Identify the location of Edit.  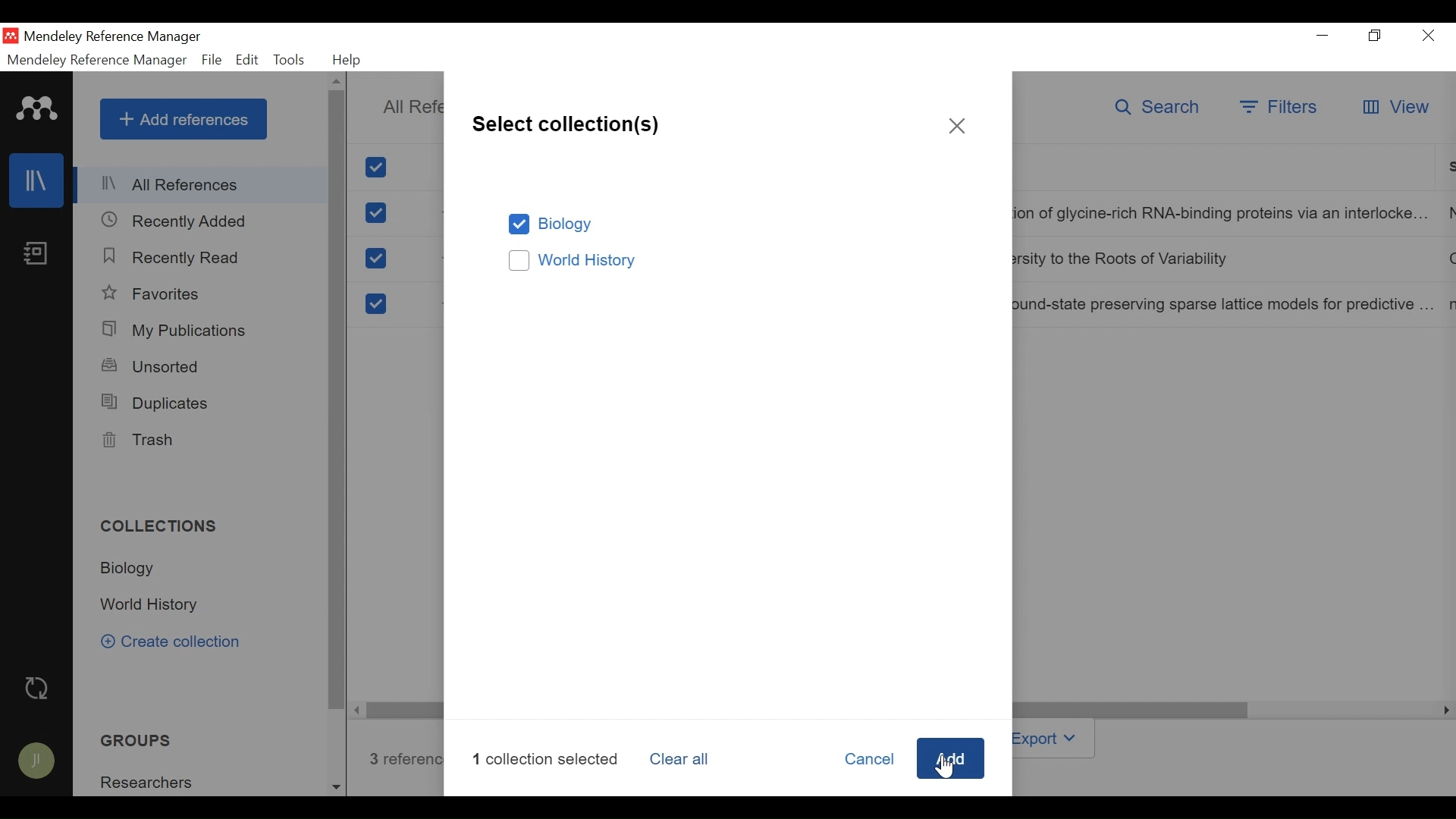
(246, 60).